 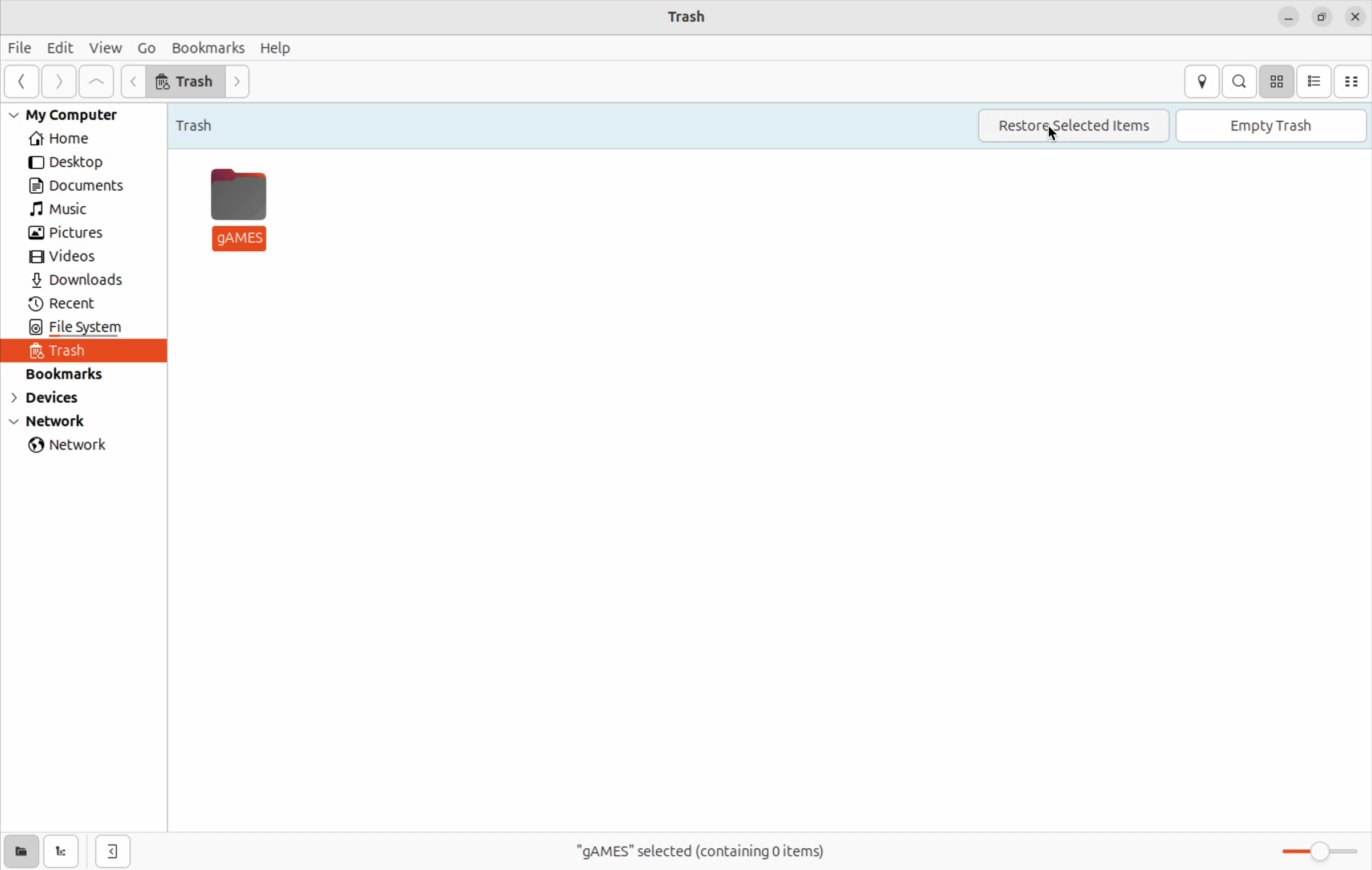 What do you see at coordinates (58, 400) in the screenshot?
I see `devices` at bounding box center [58, 400].